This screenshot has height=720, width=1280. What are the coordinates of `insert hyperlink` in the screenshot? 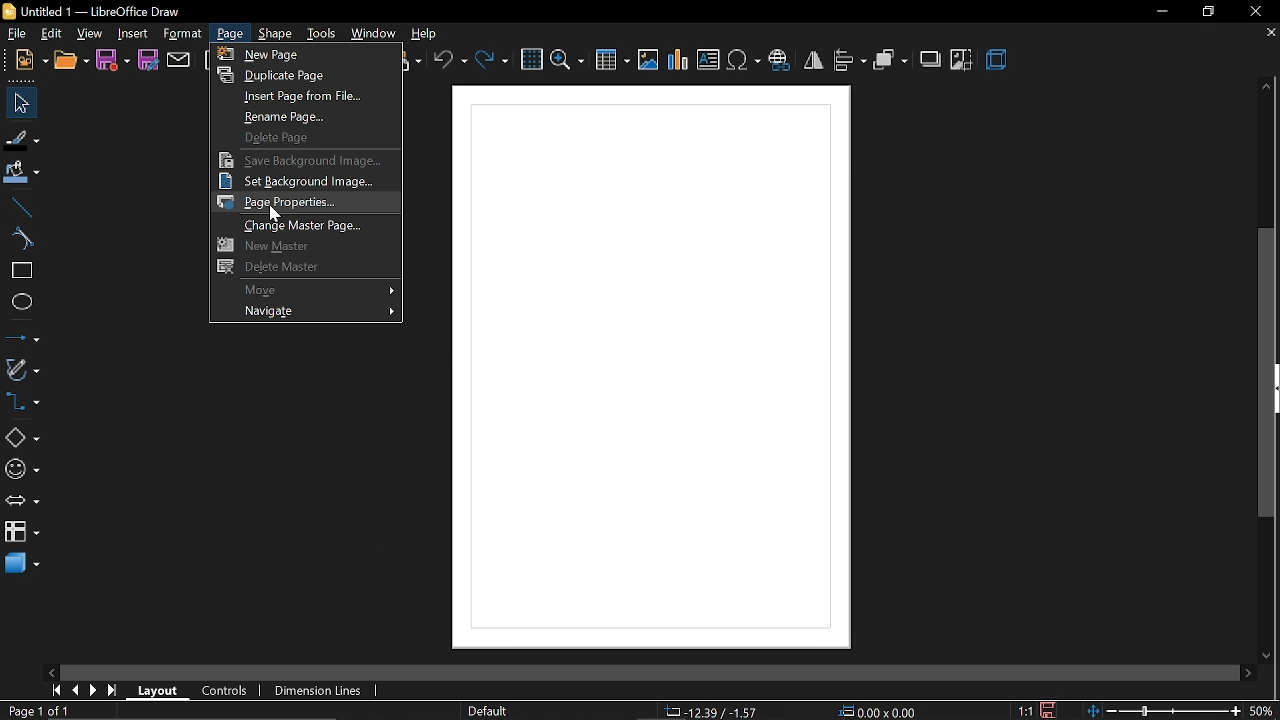 It's located at (782, 59).